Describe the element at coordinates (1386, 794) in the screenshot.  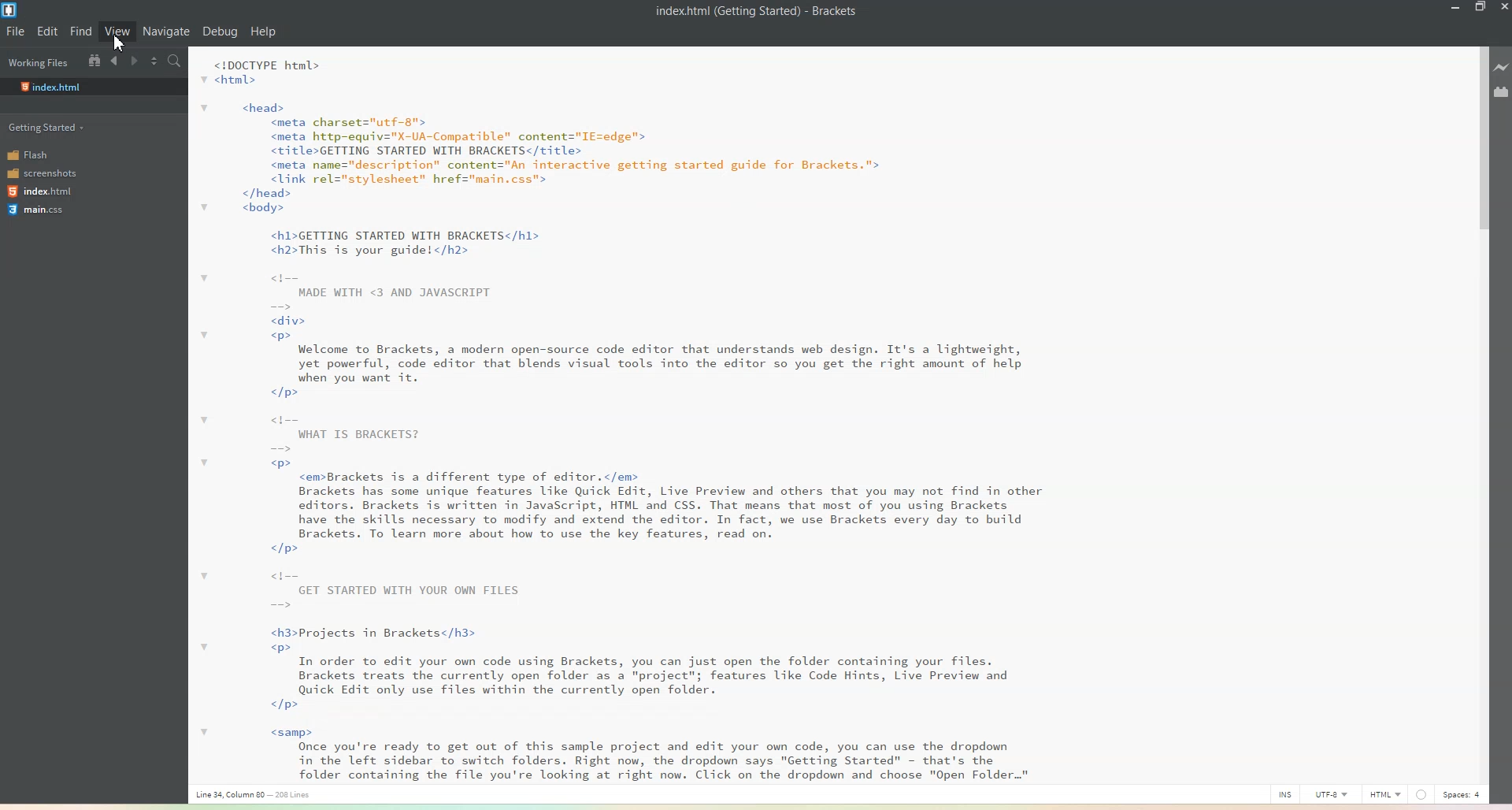
I see `HTML` at that location.